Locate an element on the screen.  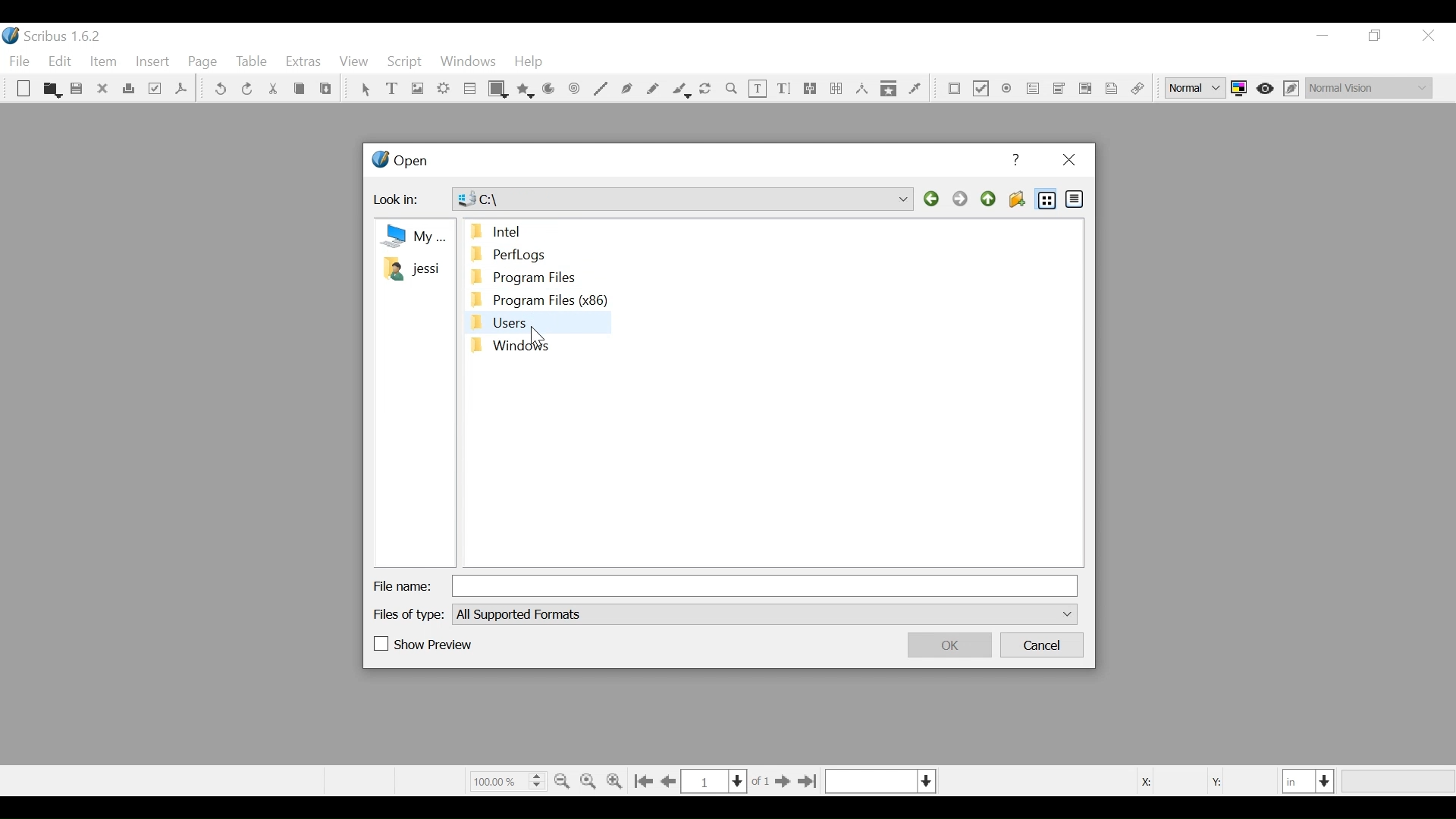
Path is located at coordinates (685, 197).